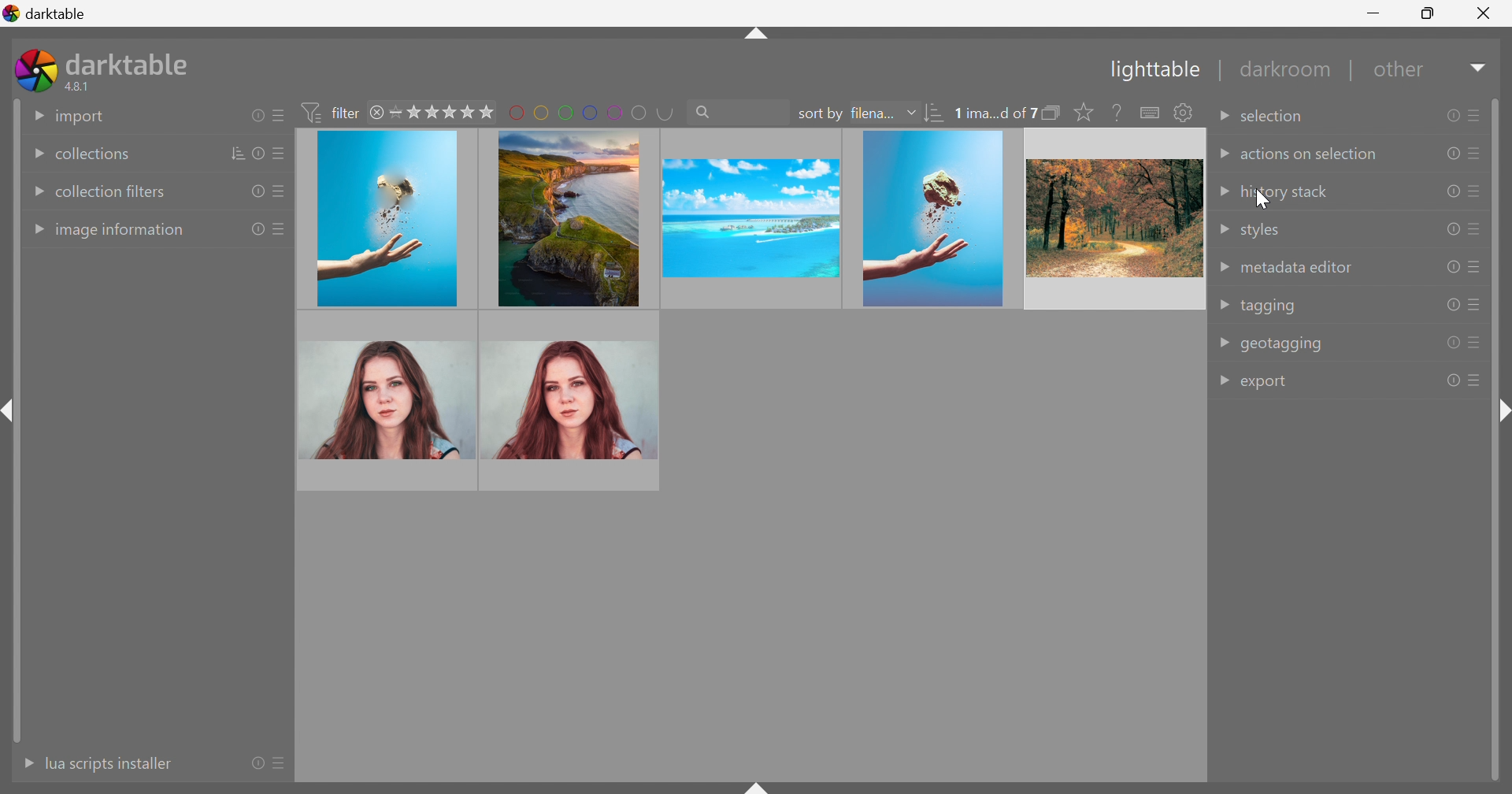 This screenshot has width=1512, height=794. I want to click on darktable icon, so click(35, 70).